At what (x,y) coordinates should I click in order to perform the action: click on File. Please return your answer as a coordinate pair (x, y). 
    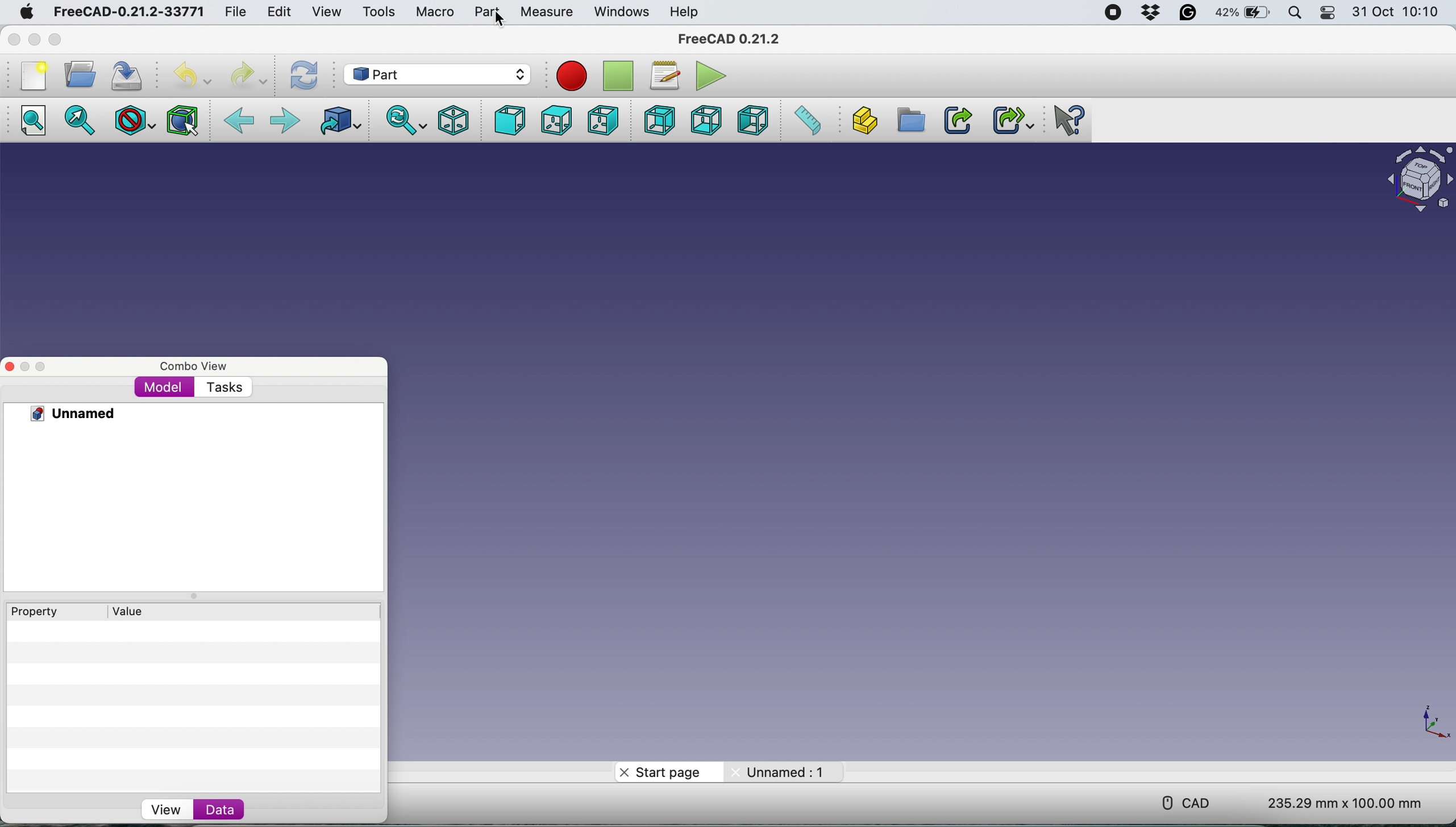
    Looking at the image, I should click on (235, 10).